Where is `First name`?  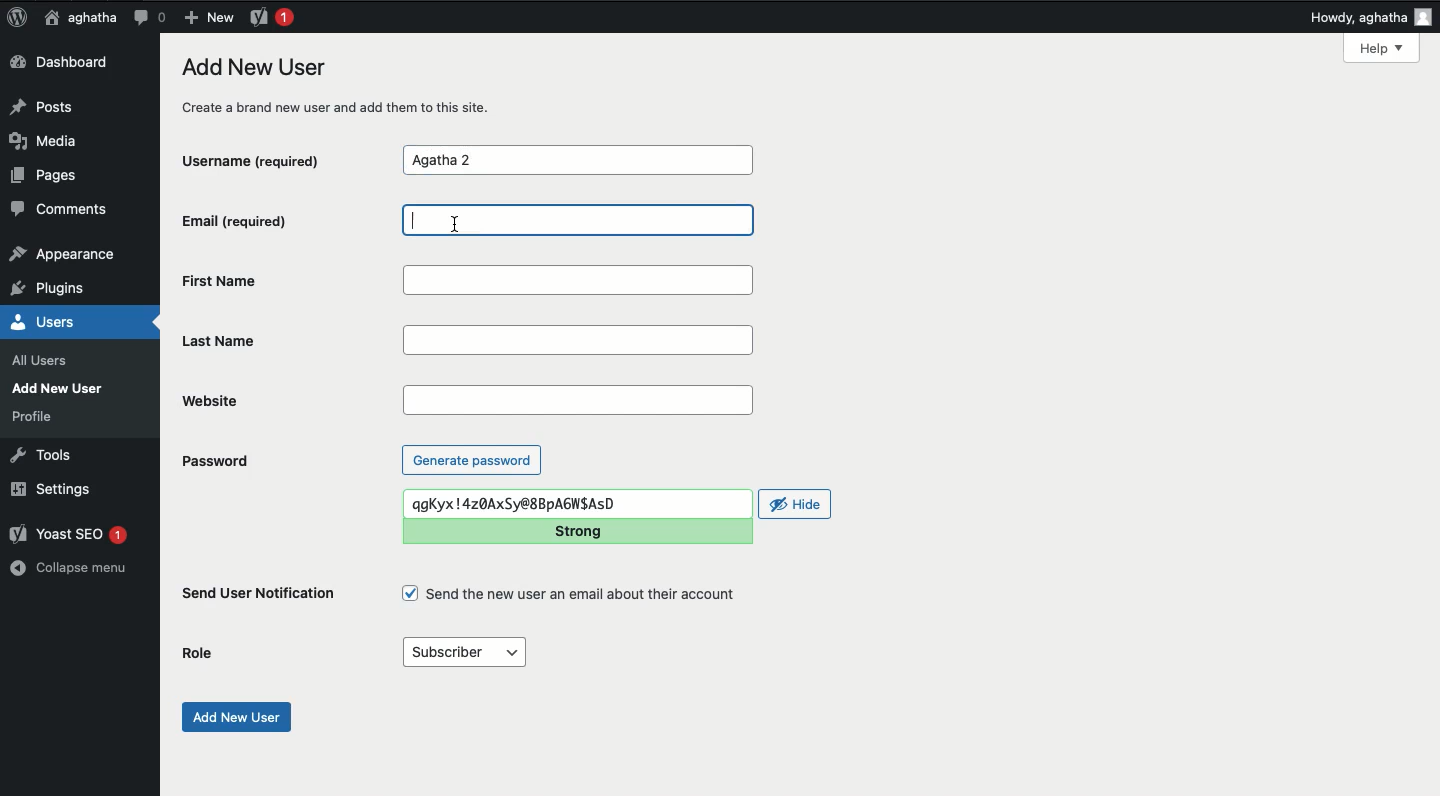 First name is located at coordinates (286, 280).